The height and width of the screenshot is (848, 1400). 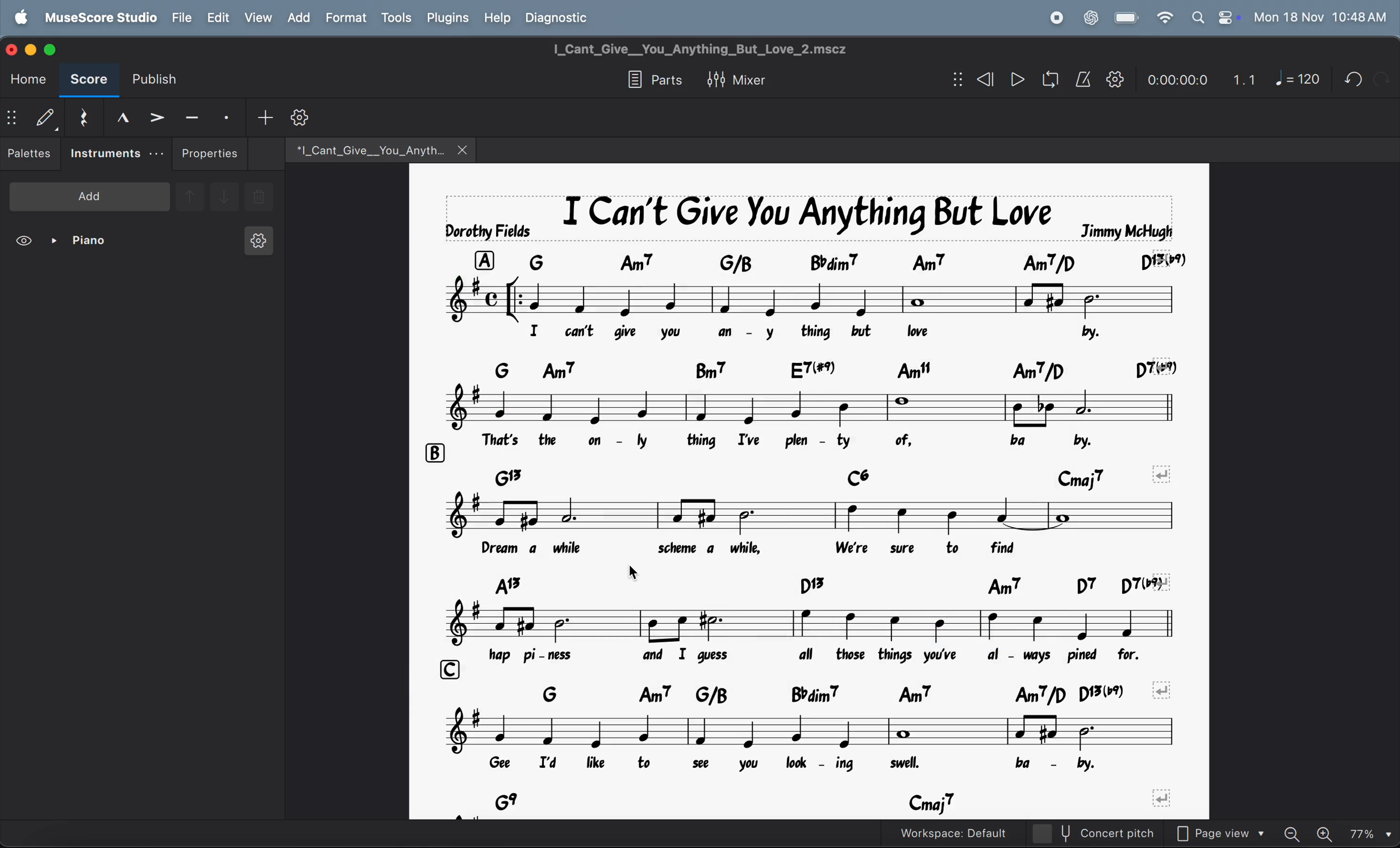 What do you see at coordinates (302, 118) in the screenshot?
I see `toolbar setting` at bounding box center [302, 118].